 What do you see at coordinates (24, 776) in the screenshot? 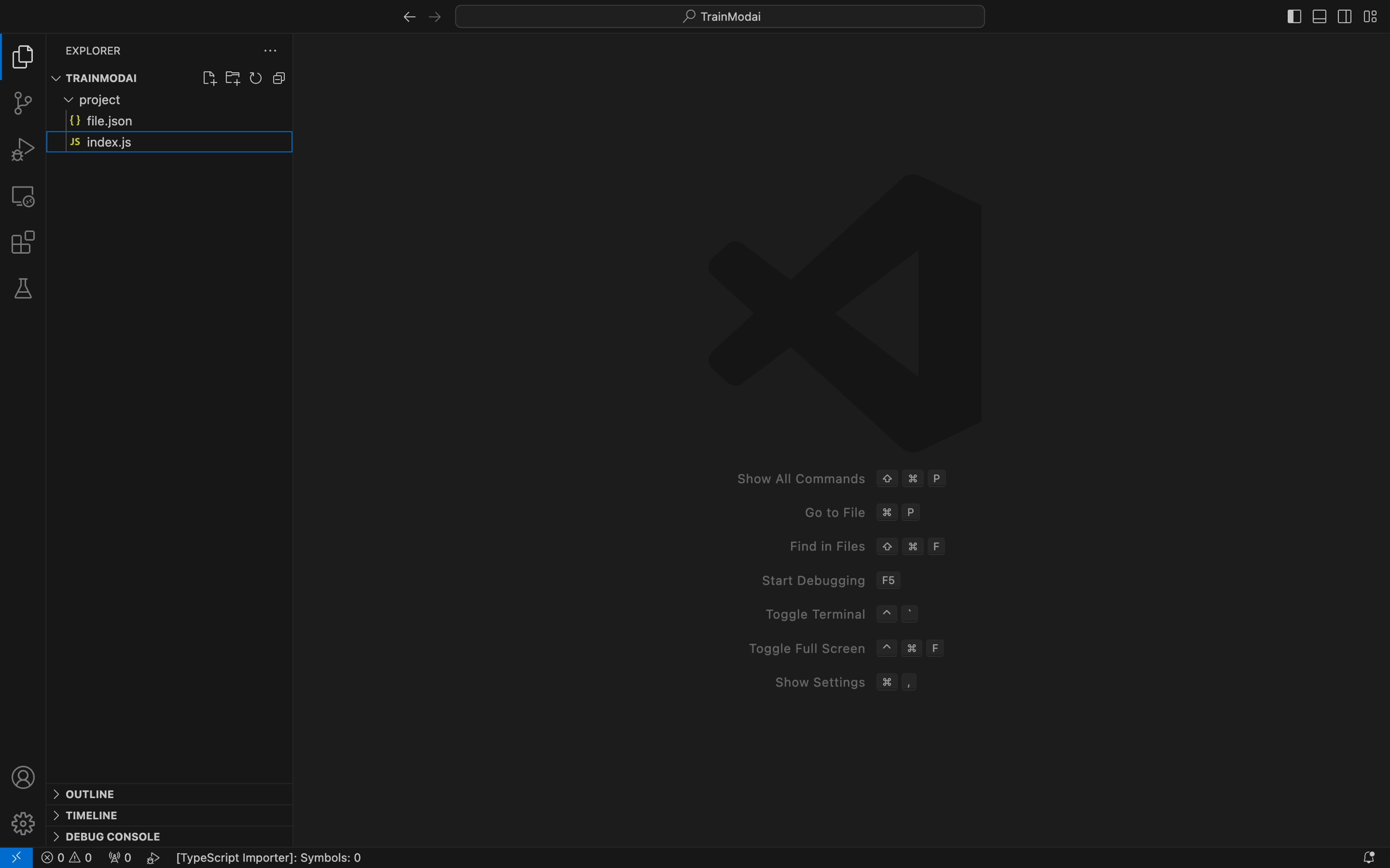
I see `profile` at bounding box center [24, 776].